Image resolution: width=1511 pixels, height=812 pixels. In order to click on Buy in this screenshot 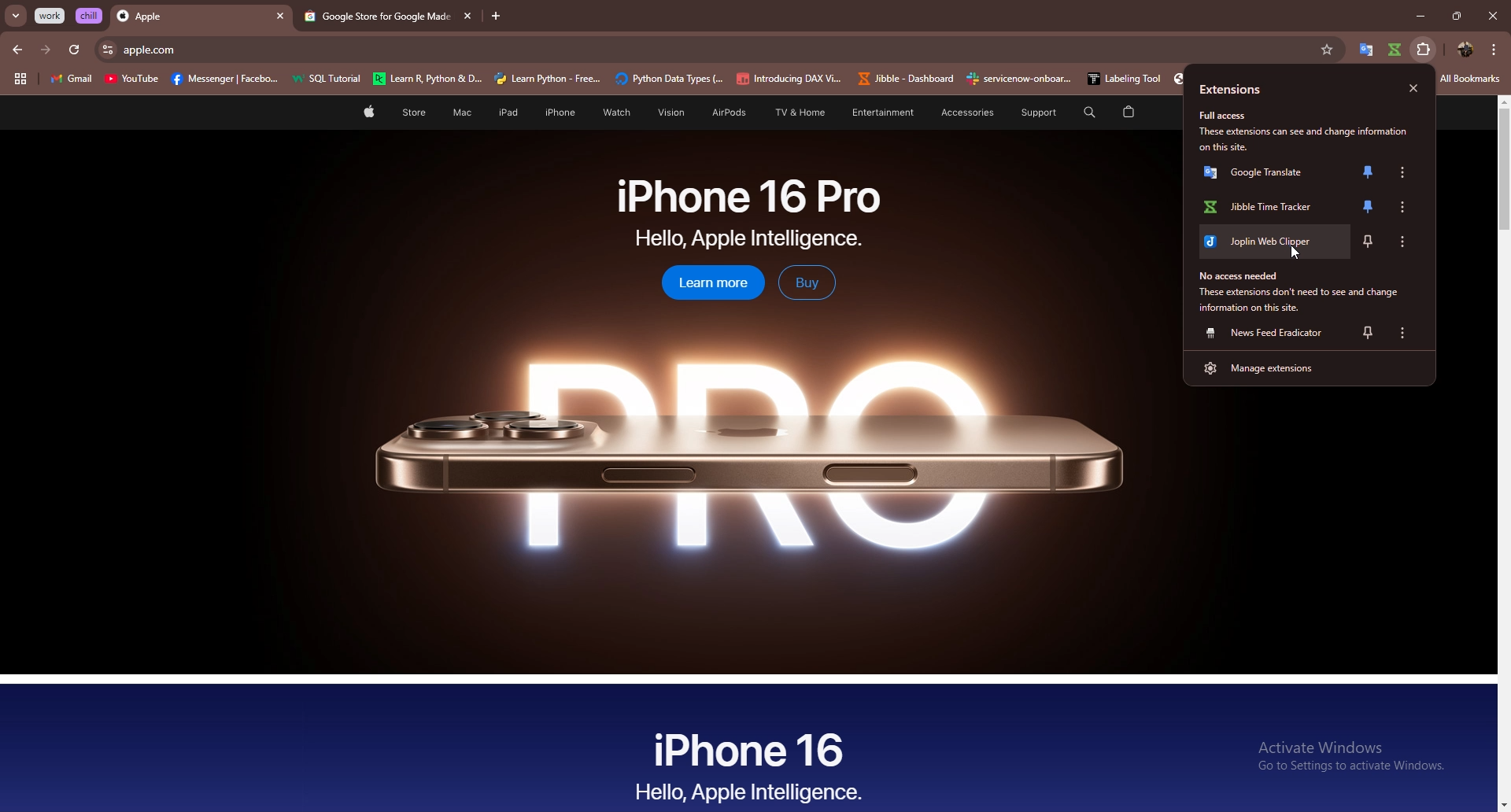, I will do `click(807, 282)`.